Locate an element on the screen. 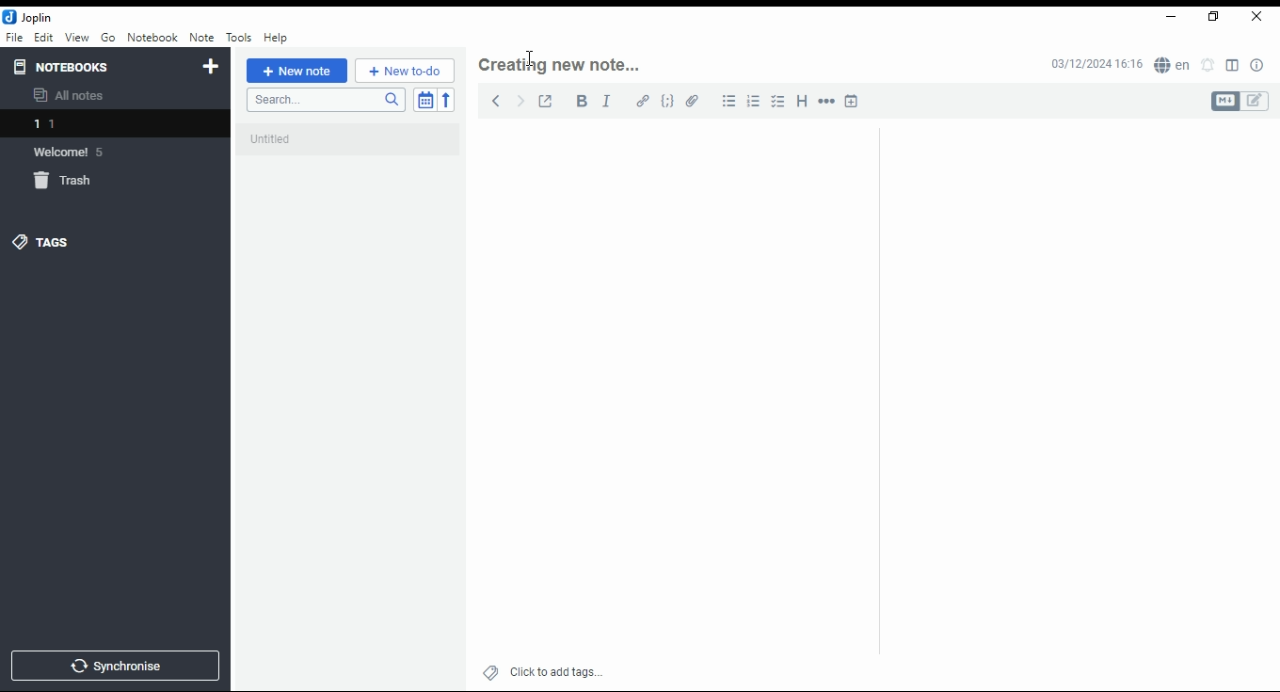 Image resolution: width=1280 pixels, height=692 pixels. note properties is located at coordinates (1258, 66).